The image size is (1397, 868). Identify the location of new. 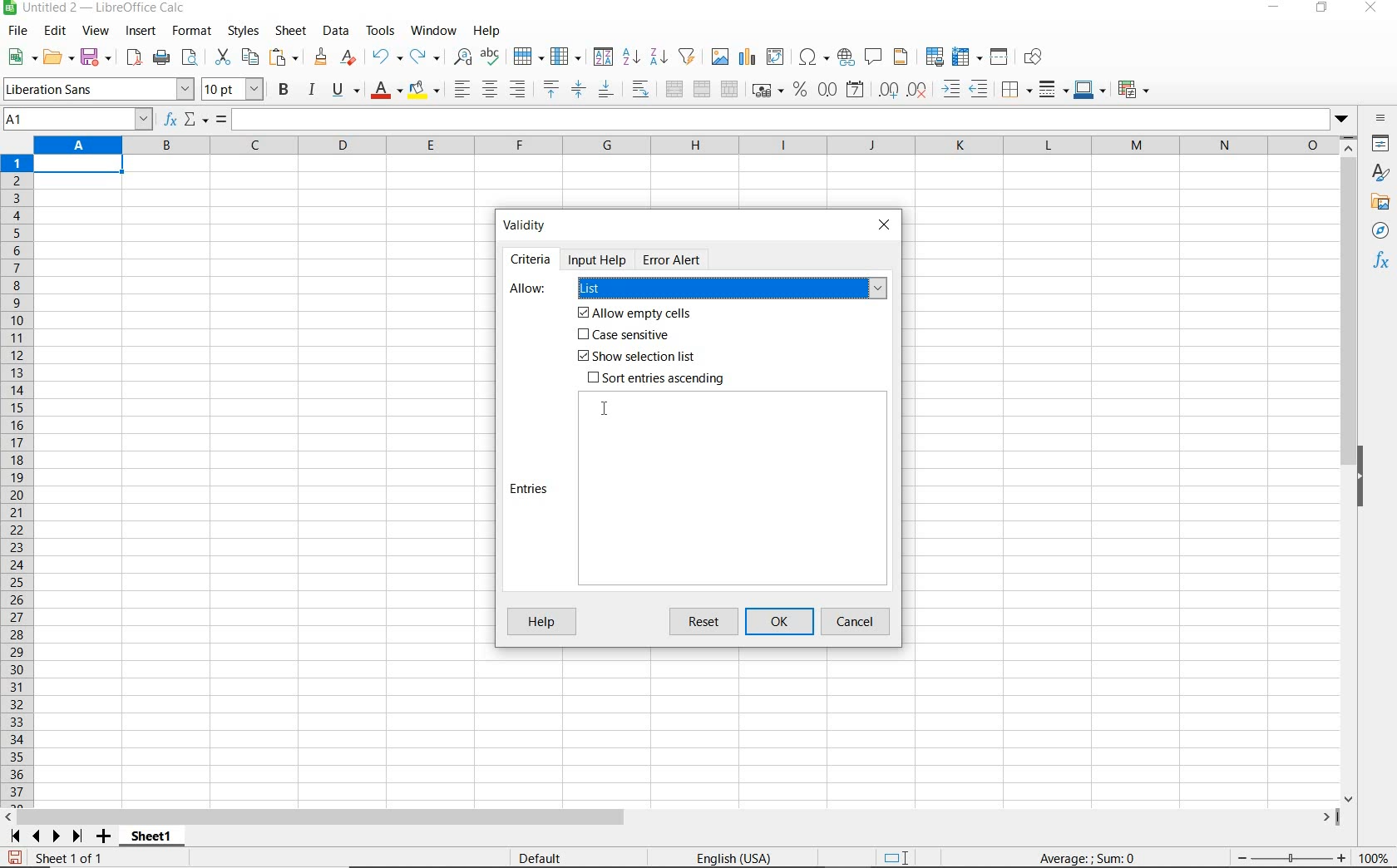
(22, 57).